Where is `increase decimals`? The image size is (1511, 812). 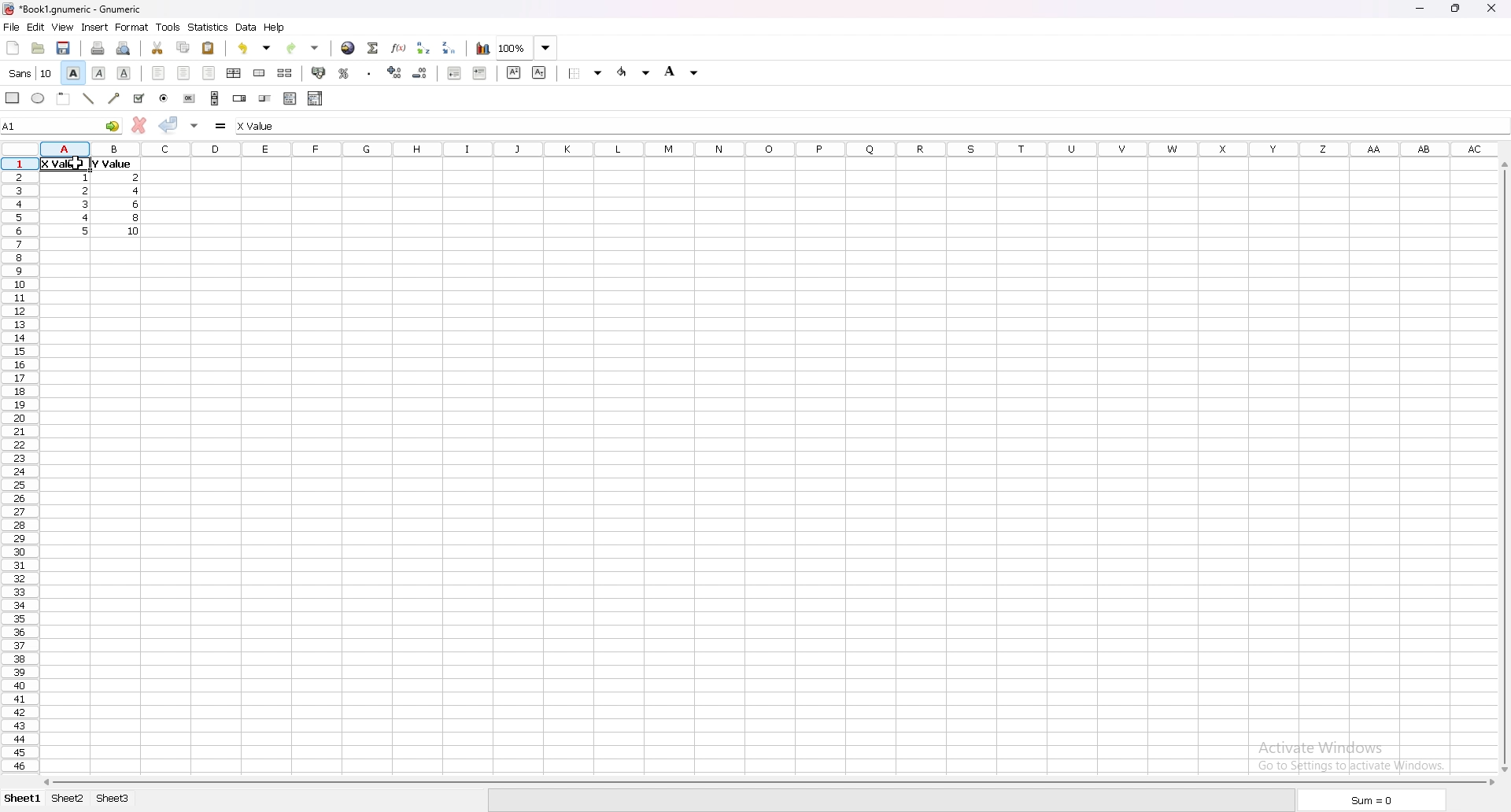
increase decimals is located at coordinates (395, 72).